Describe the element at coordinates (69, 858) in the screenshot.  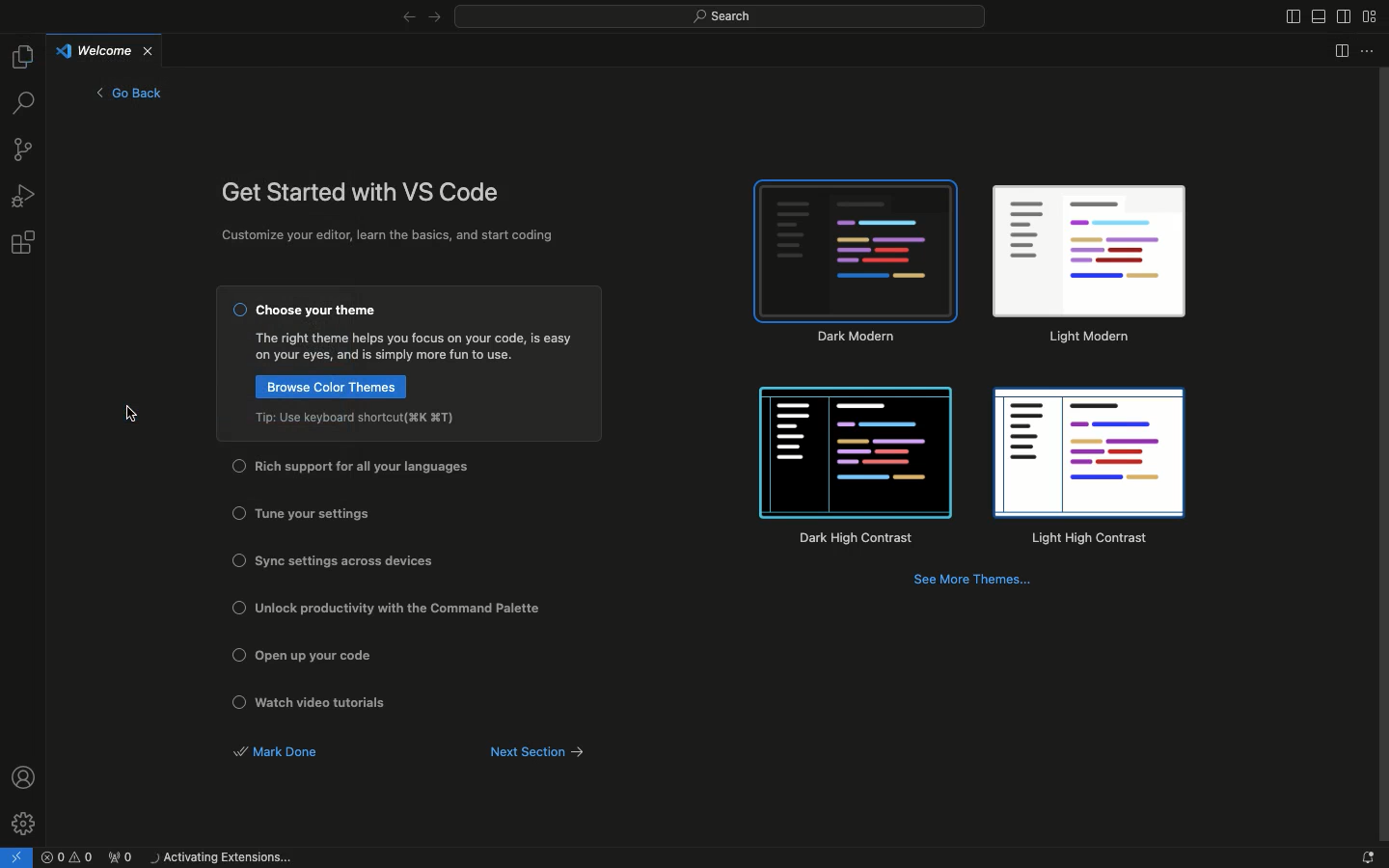
I see `Problems` at that location.